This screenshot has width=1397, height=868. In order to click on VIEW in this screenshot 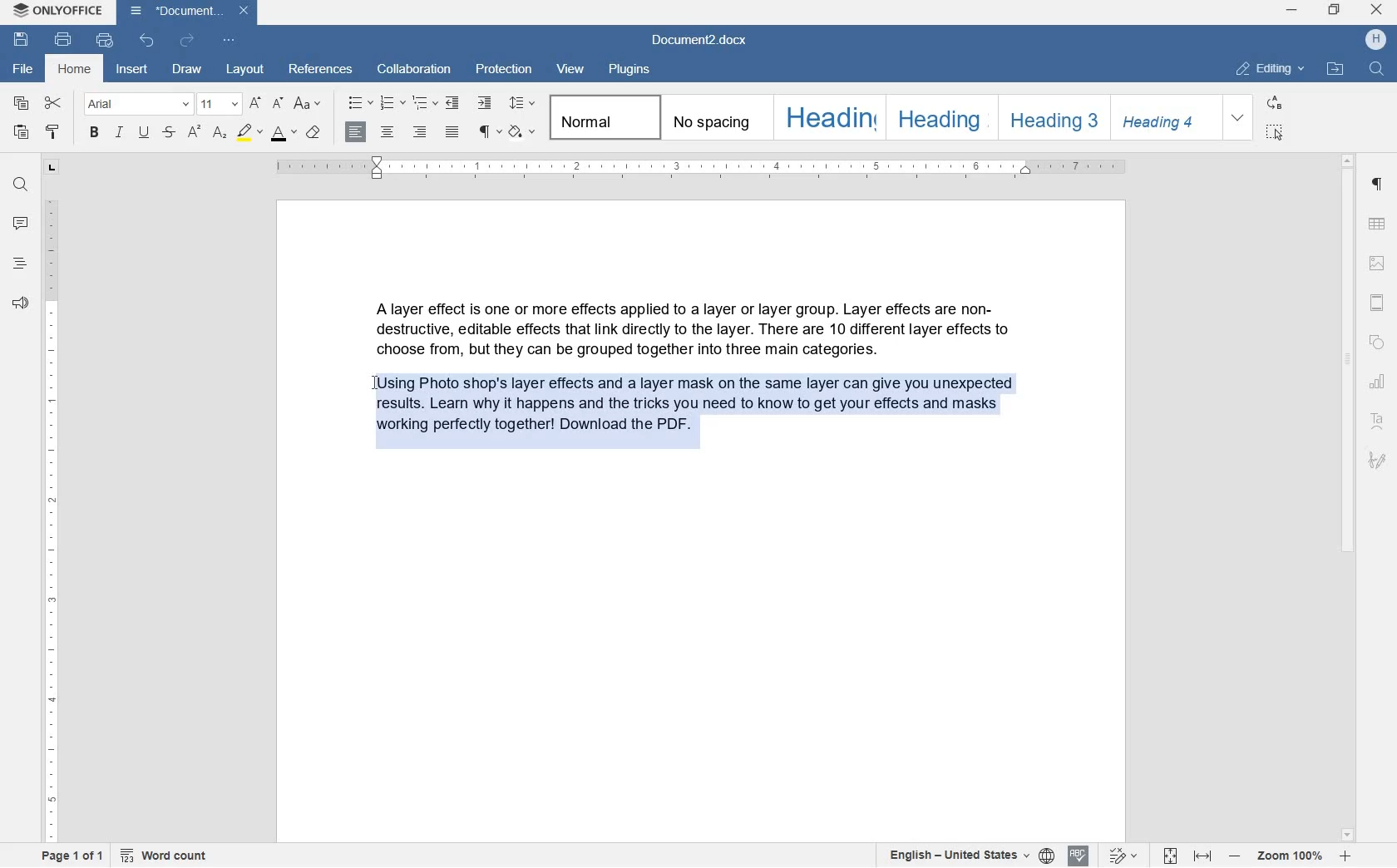, I will do `click(568, 69)`.